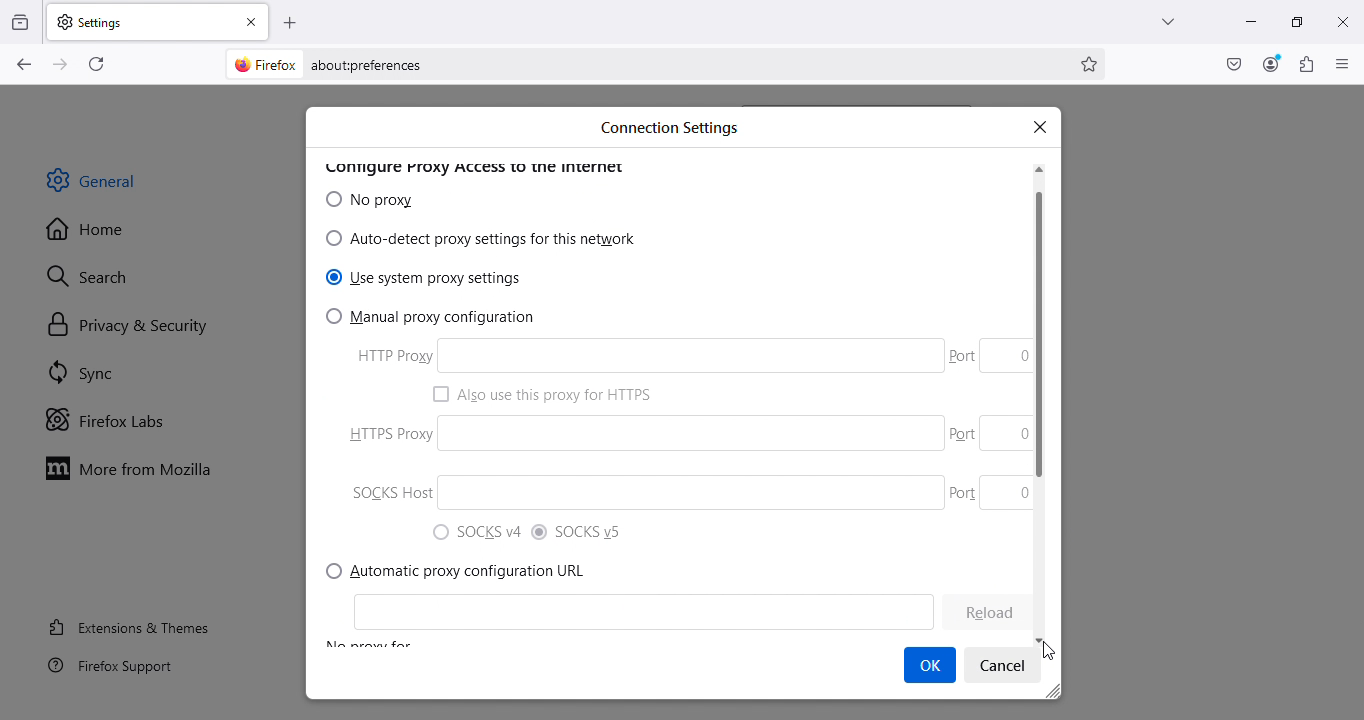 The width and height of the screenshot is (1364, 720). Describe the element at coordinates (1271, 64) in the screenshot. I see `Account` at that location.